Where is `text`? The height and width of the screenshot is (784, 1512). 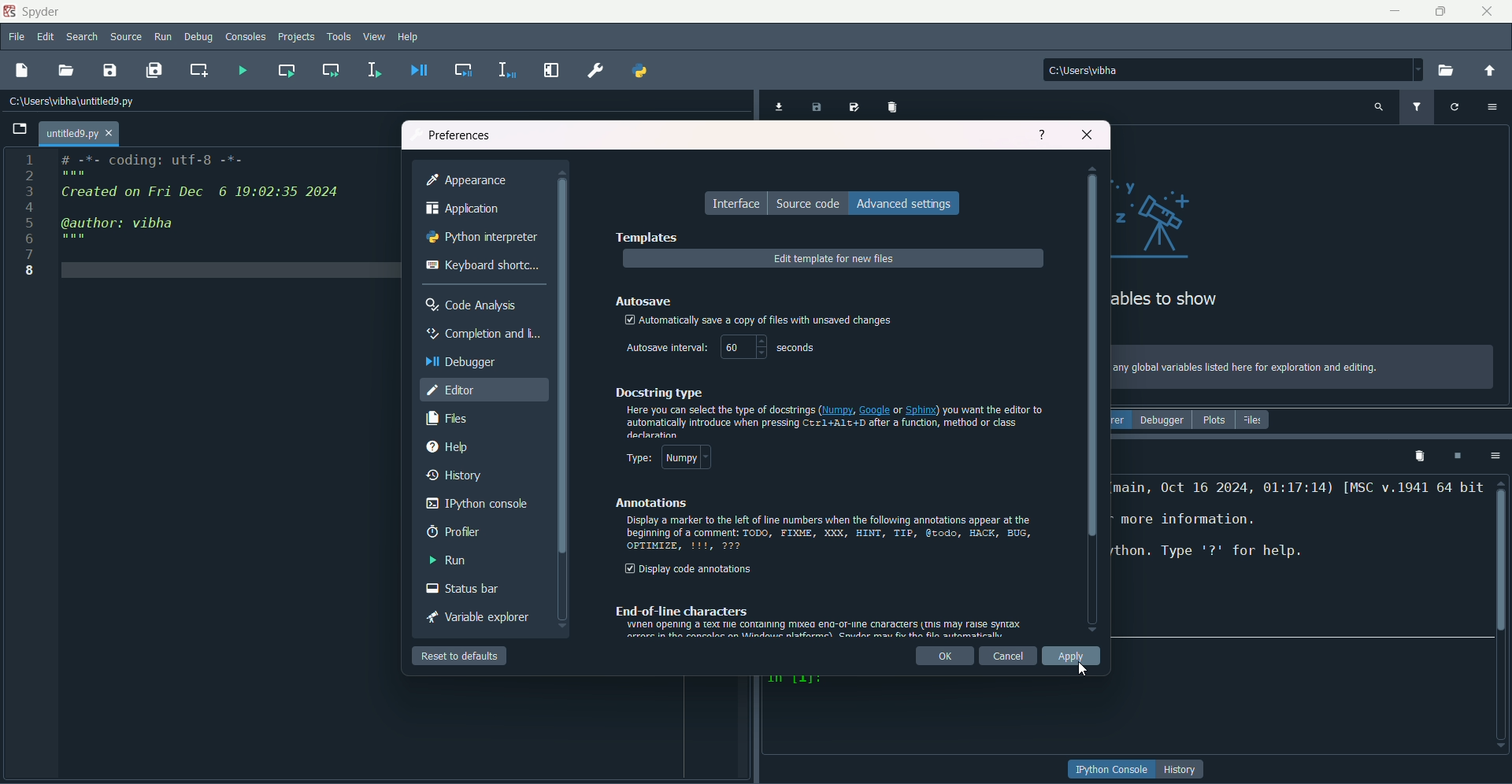 text is located at coordinates (831, 535).